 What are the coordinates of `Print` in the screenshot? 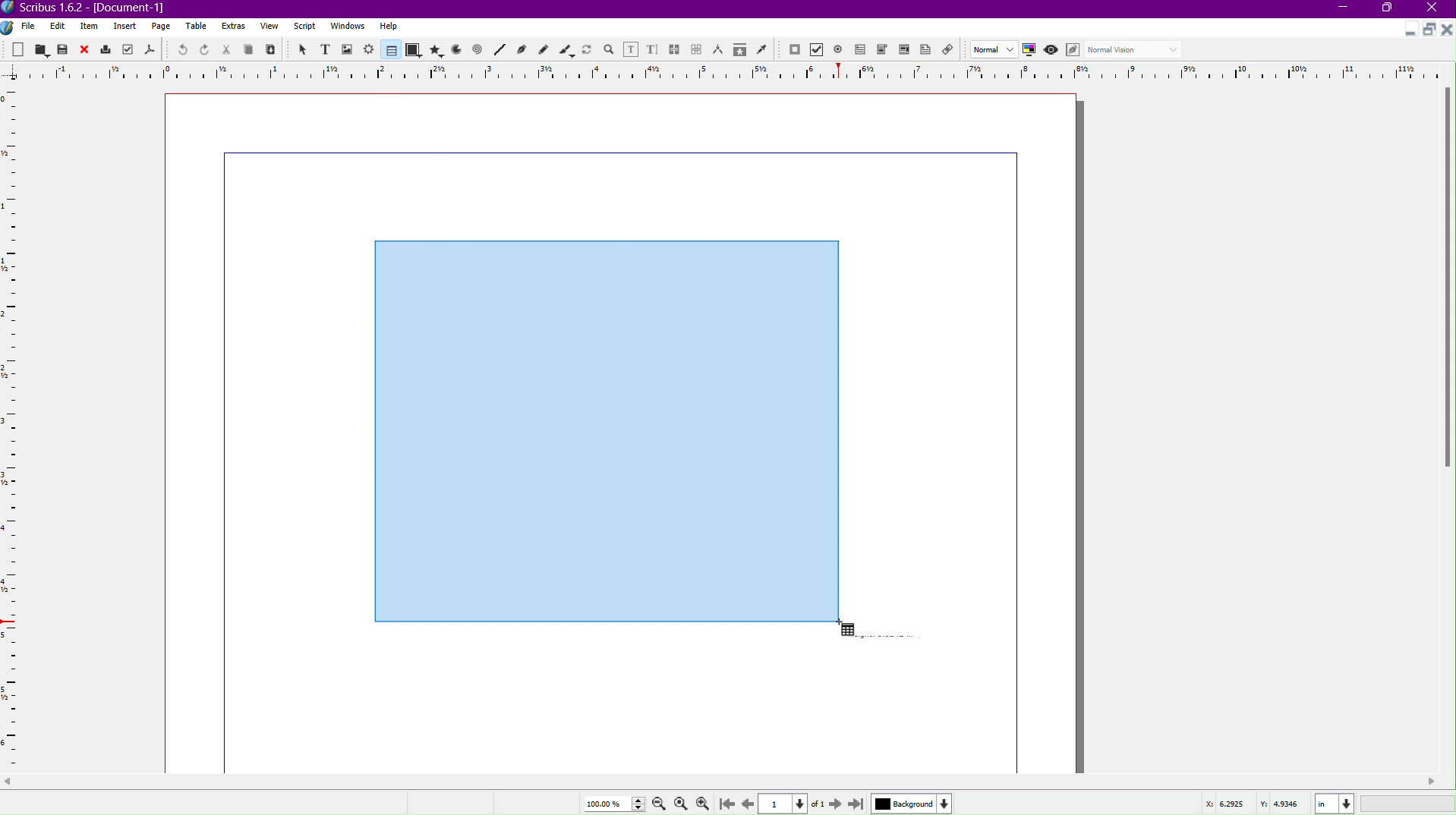 It's located at (106, 49).